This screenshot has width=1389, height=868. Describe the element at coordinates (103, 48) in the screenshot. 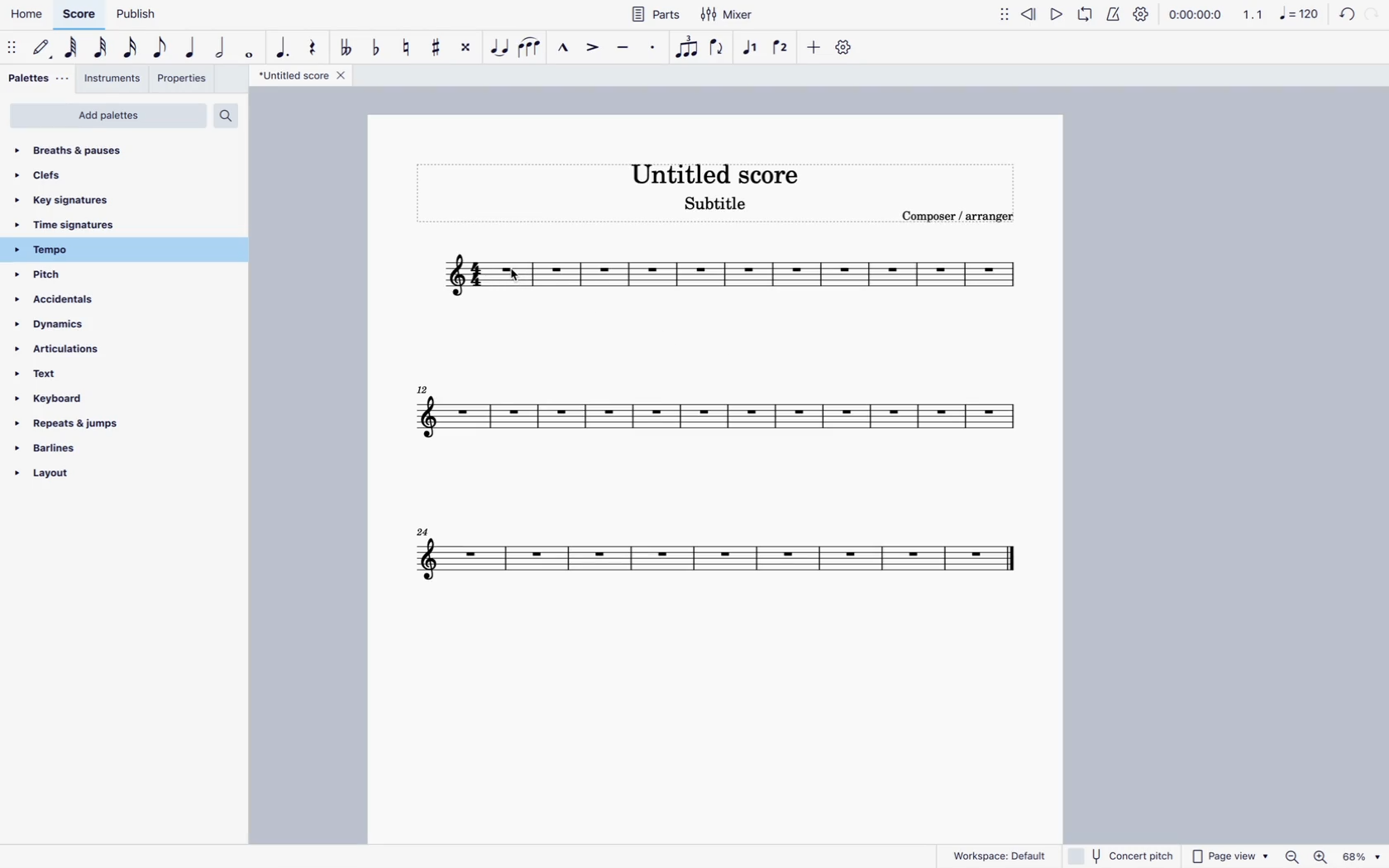

I see `32nd note` at that location.